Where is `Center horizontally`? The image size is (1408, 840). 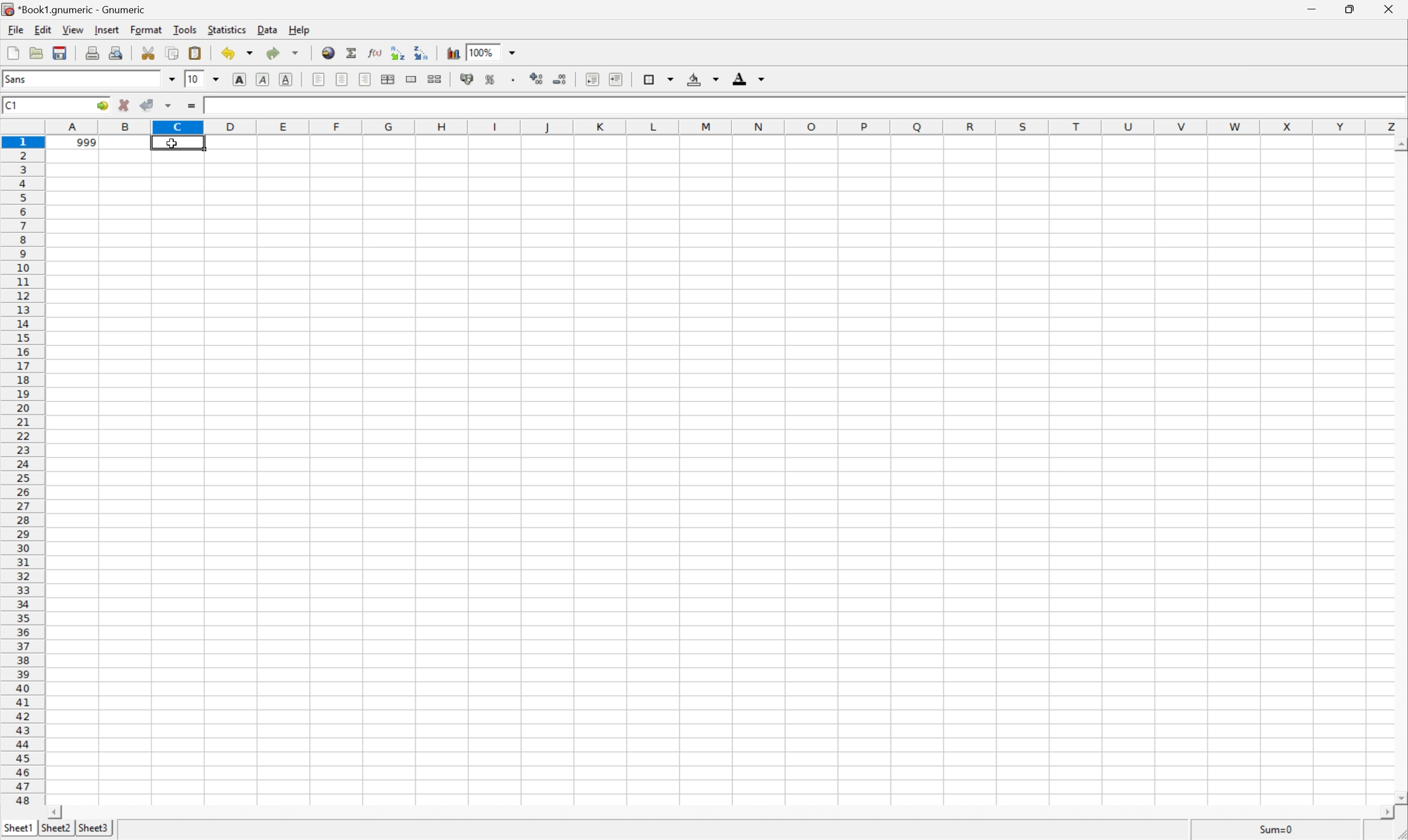 Center horizontally is located at coordinates (341, 79).